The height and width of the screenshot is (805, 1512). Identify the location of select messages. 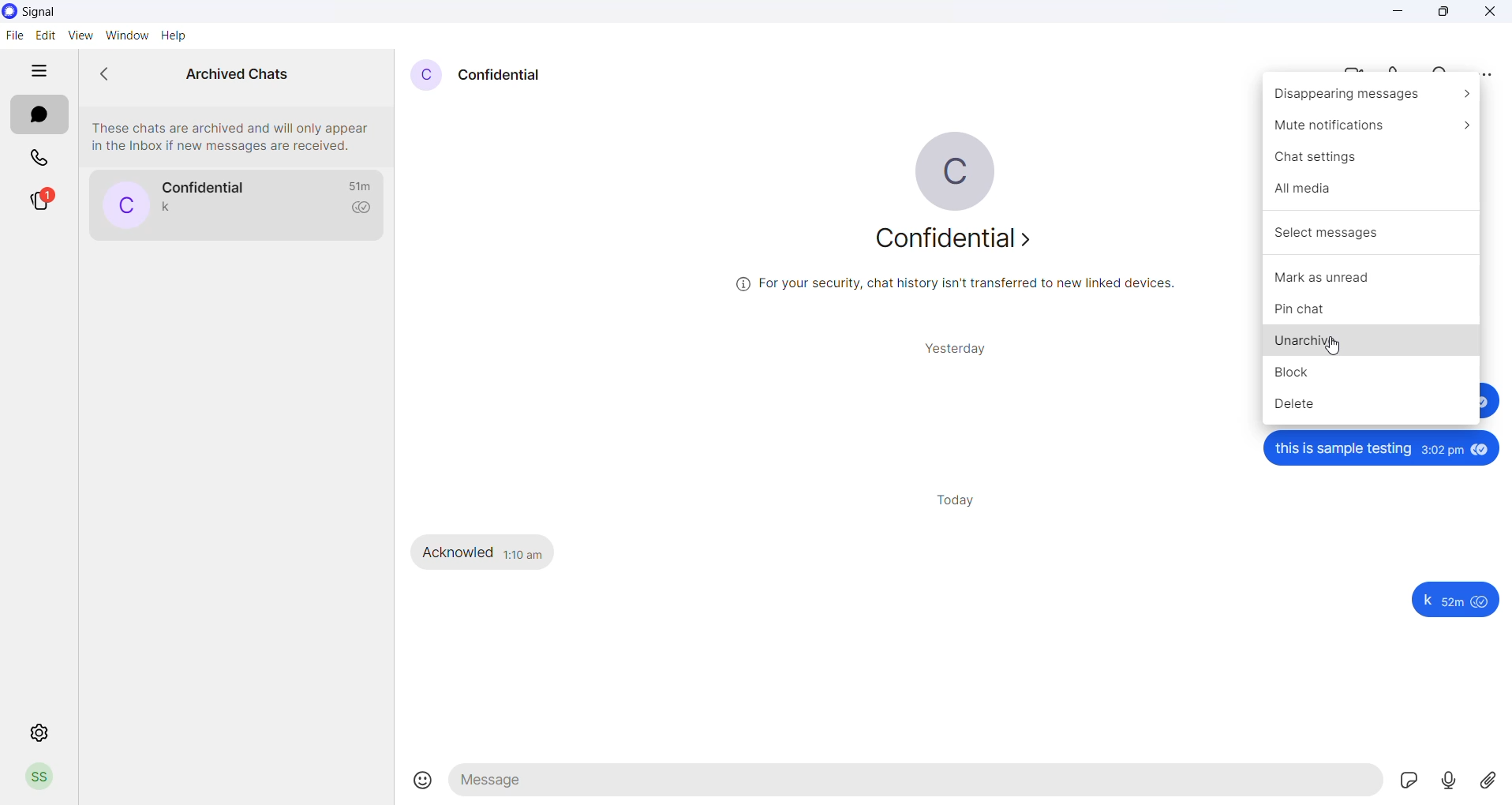
(1370, 235).